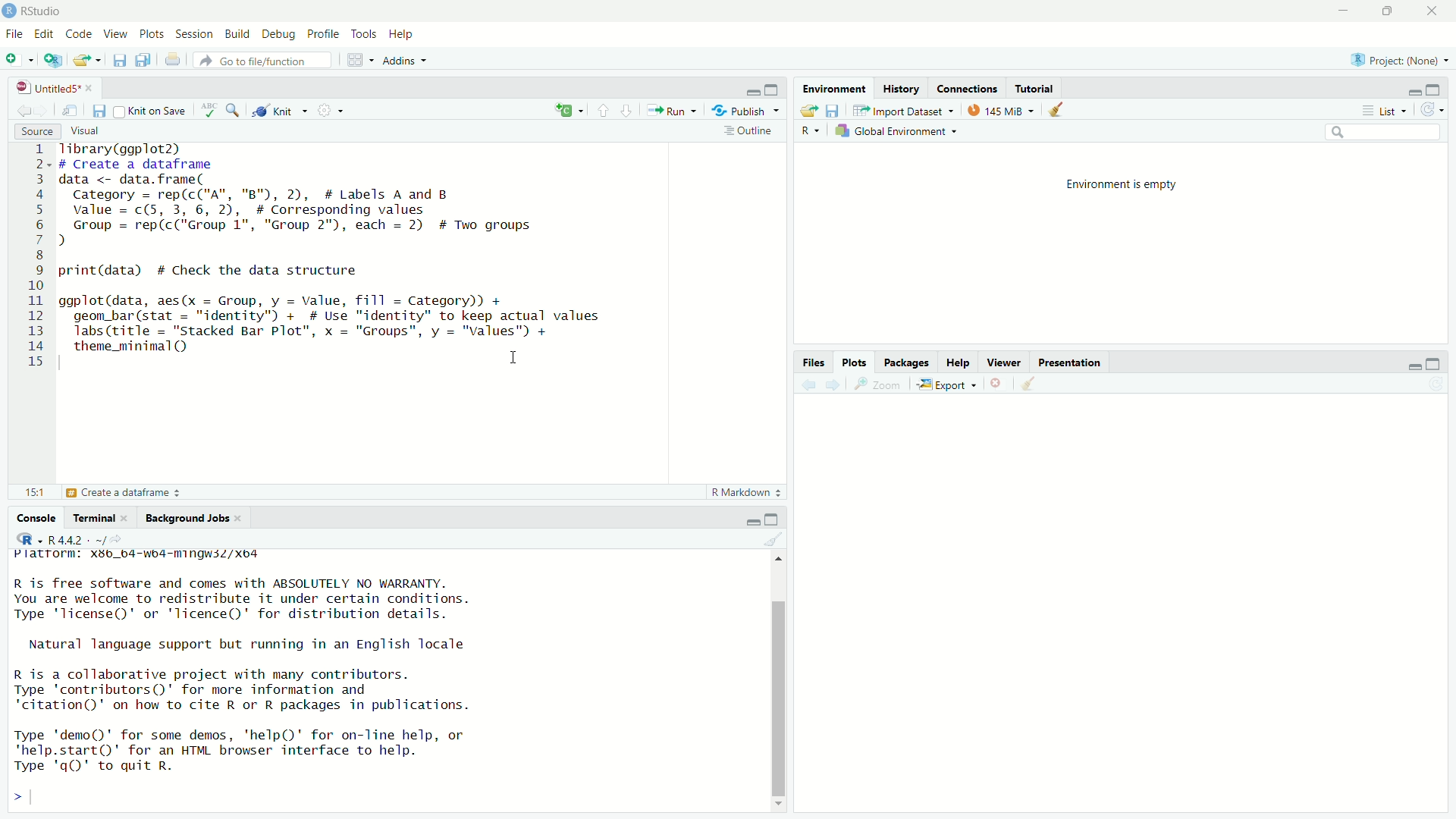 This screenshot has width=1456, height=819. I want to click on File, so click(16, 34).